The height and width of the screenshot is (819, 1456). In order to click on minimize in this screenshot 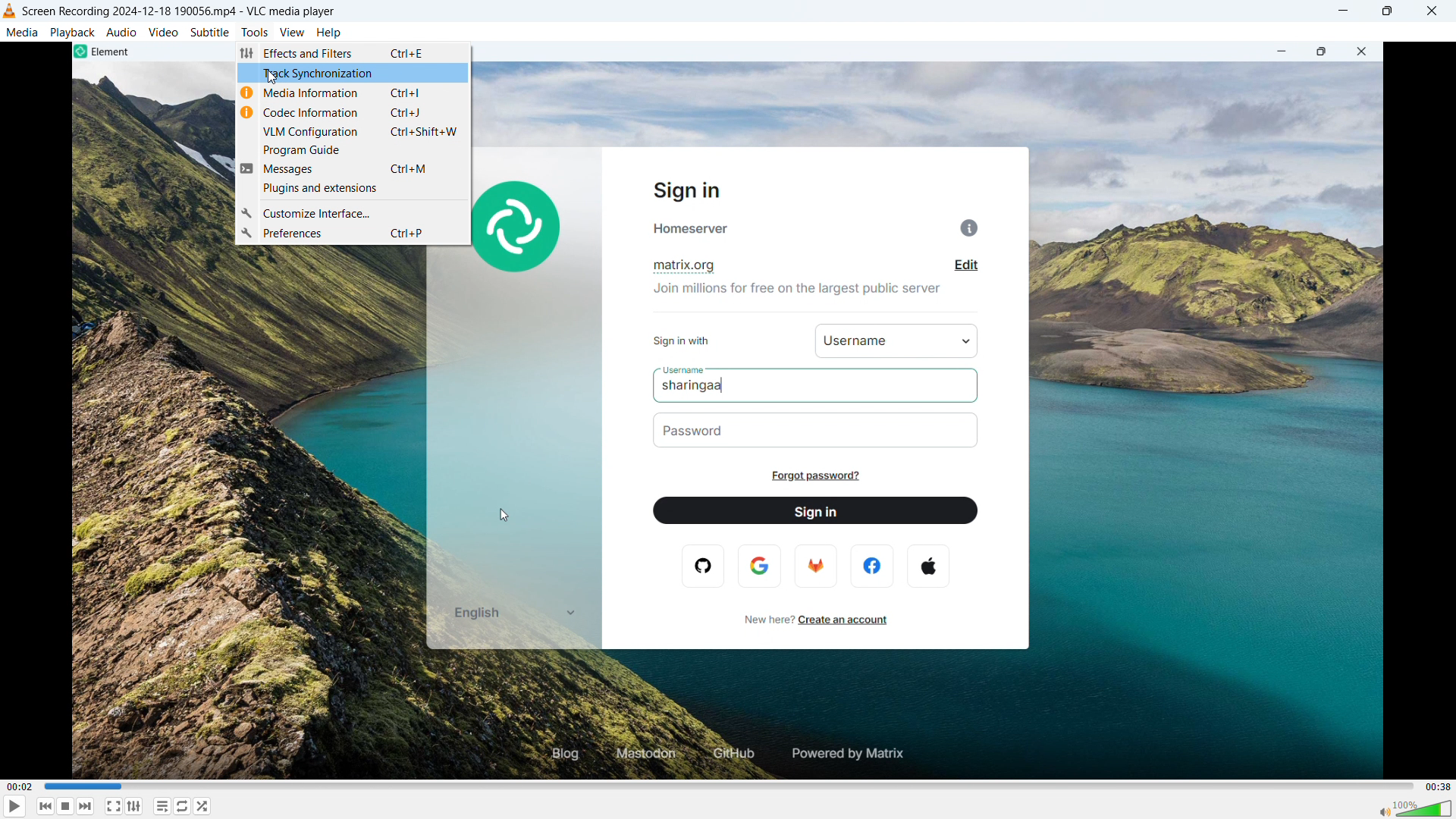, I will do `click(1282, 52)`.